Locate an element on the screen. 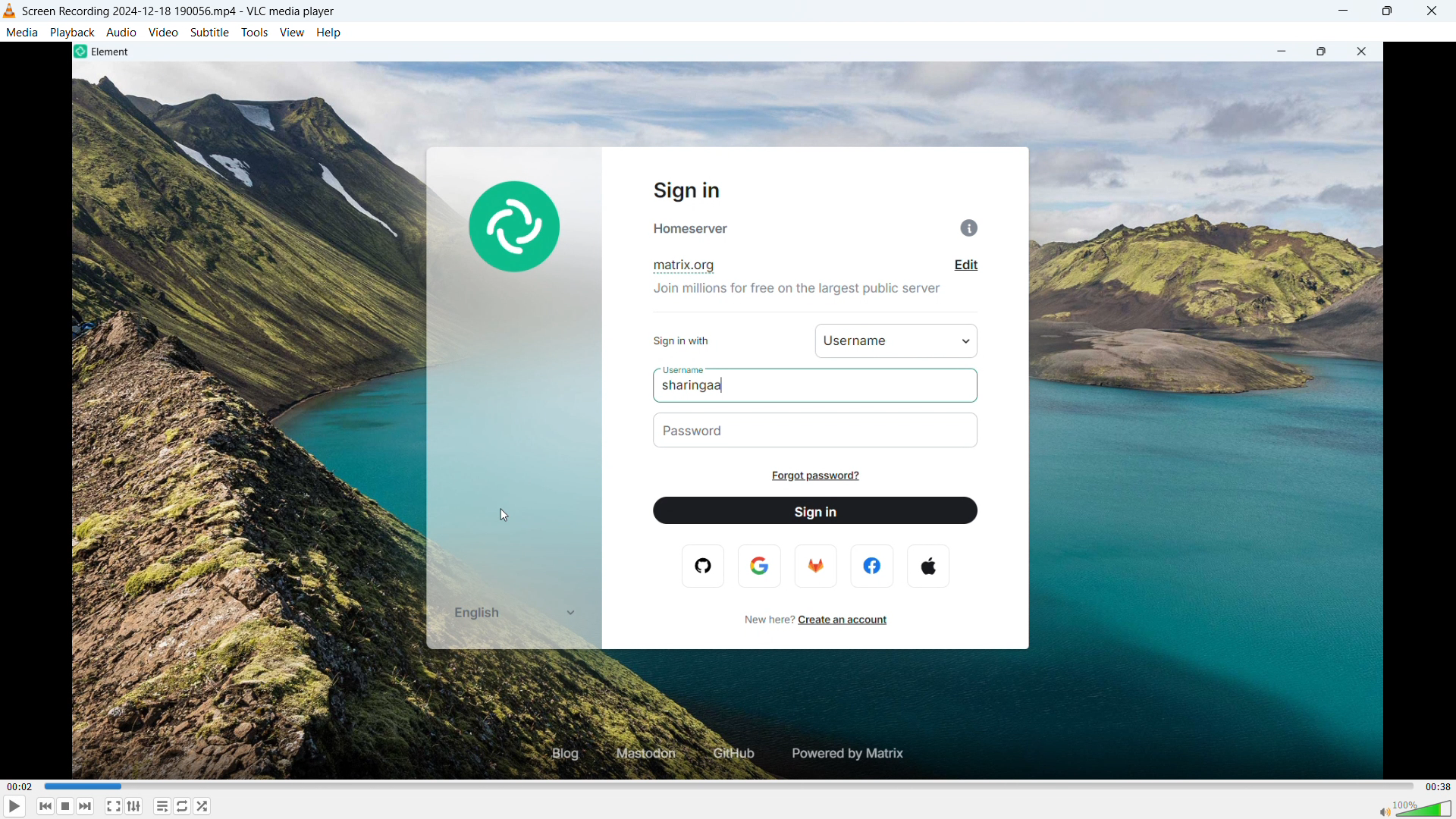  view is located at coordinates (293, 33).